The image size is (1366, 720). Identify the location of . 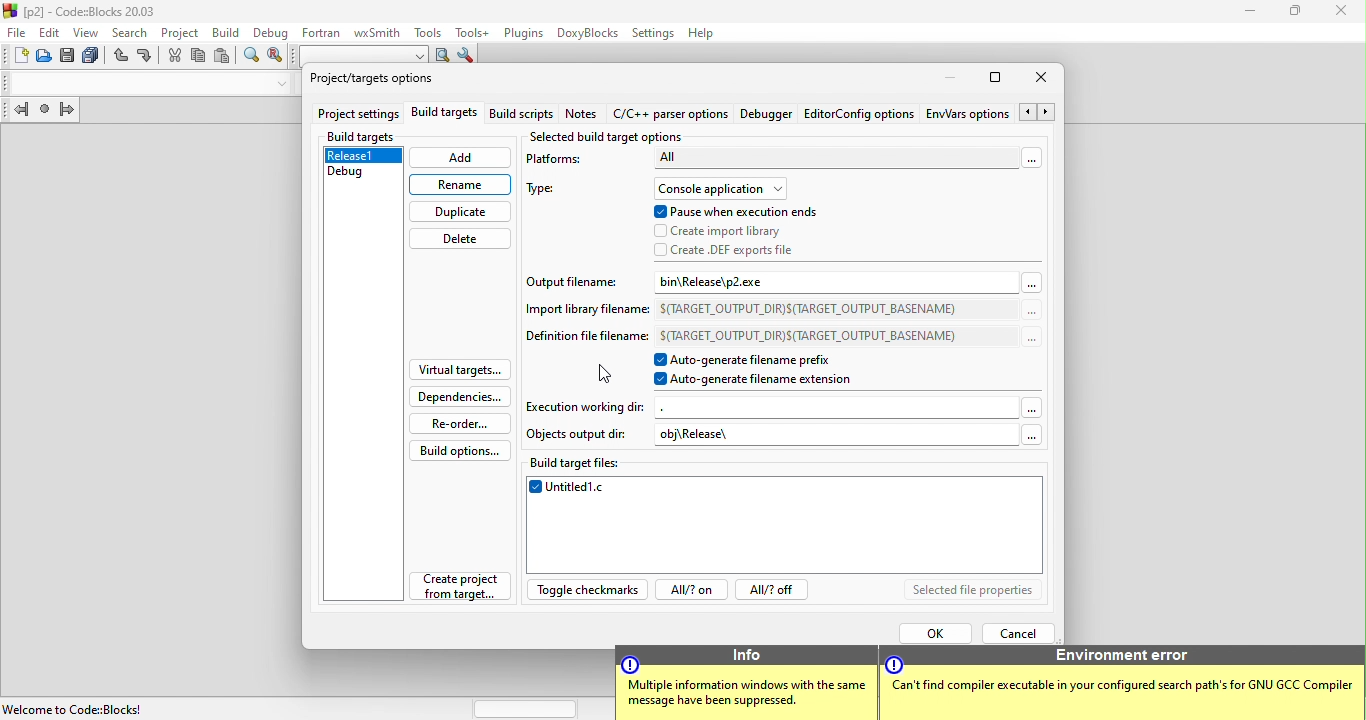
(893, 664).